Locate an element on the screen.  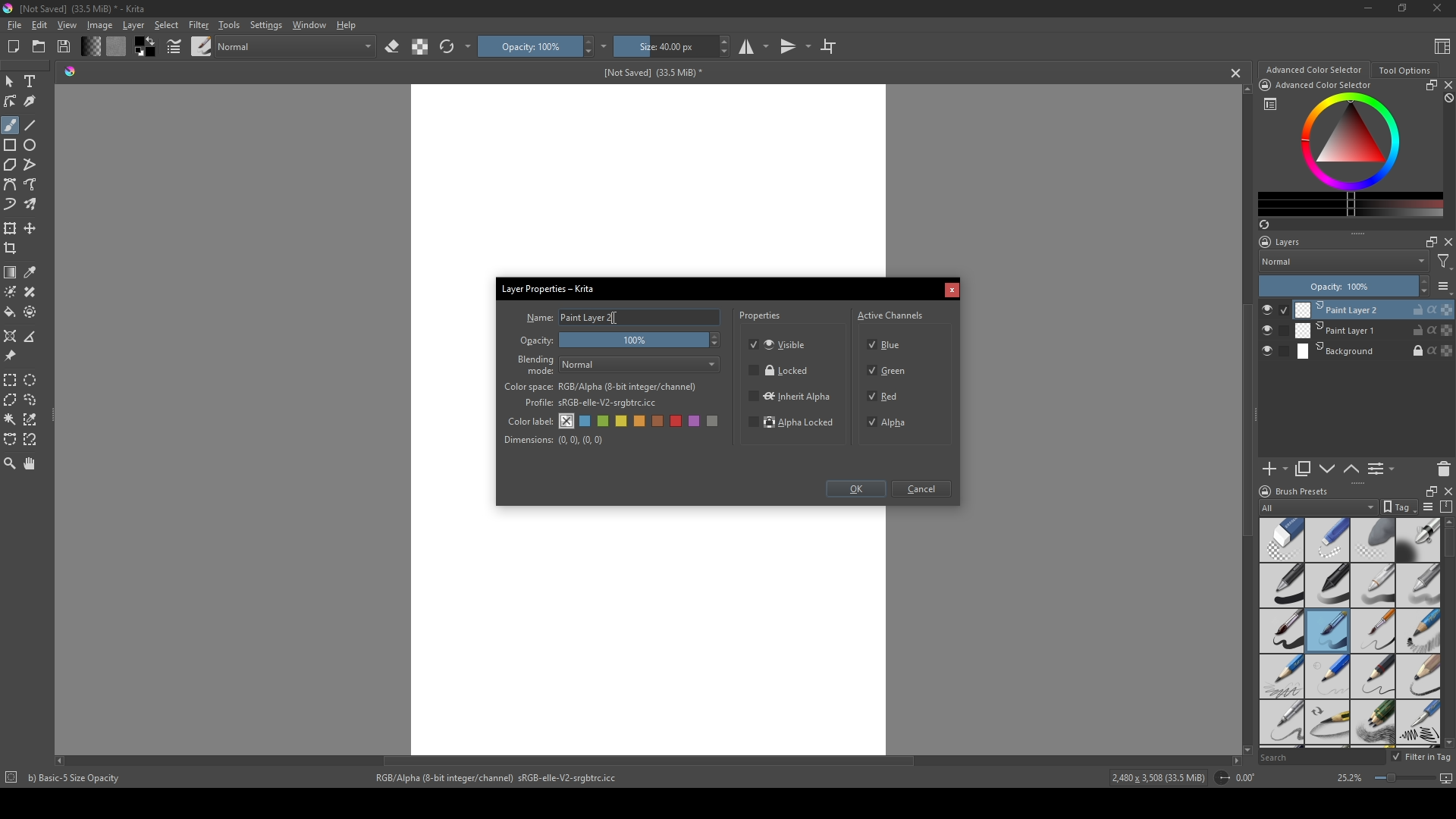
icon is located at coordinates (10, 779).